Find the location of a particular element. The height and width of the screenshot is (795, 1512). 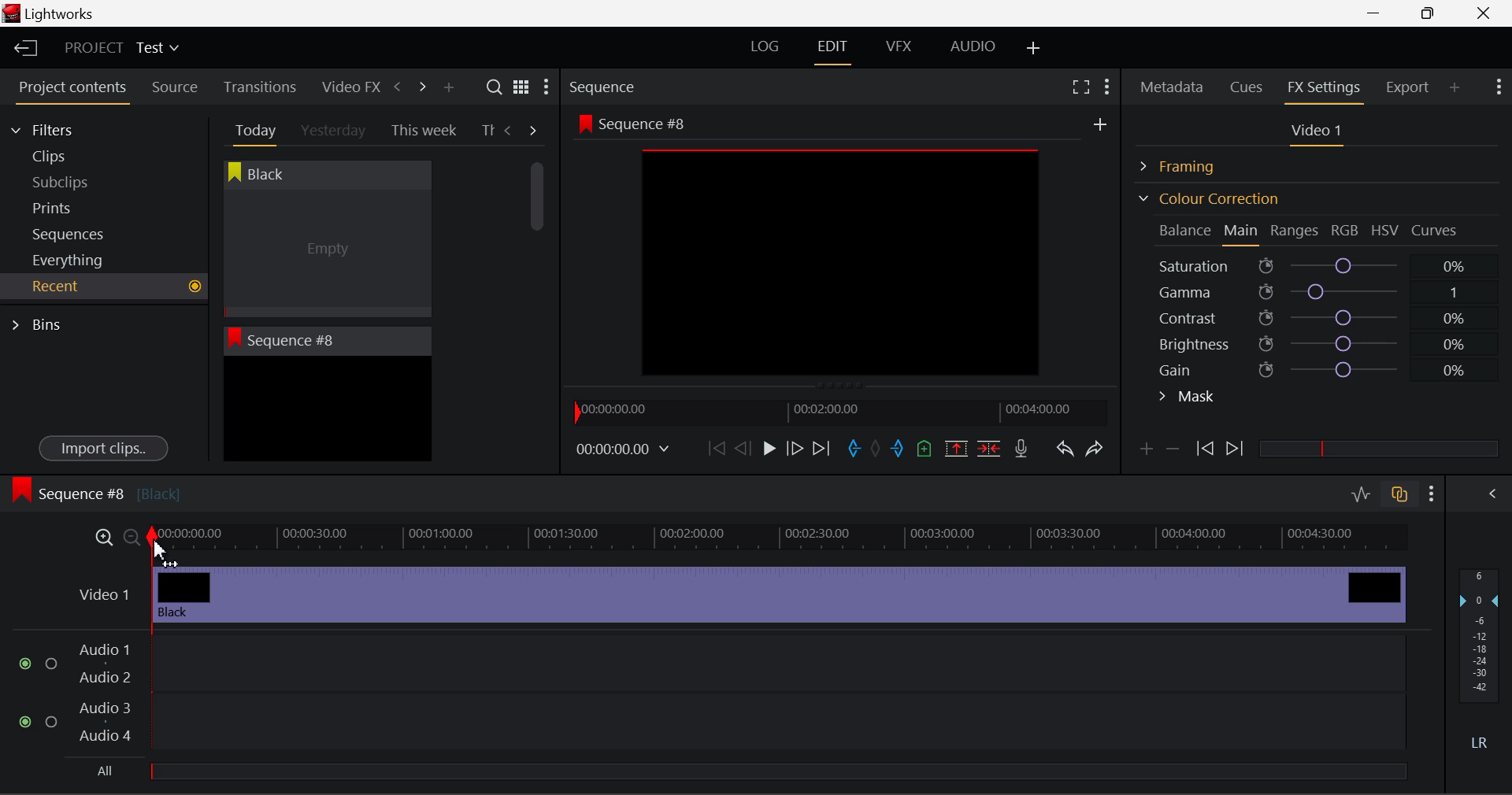

HSV is located at coordinates (1385, 230).